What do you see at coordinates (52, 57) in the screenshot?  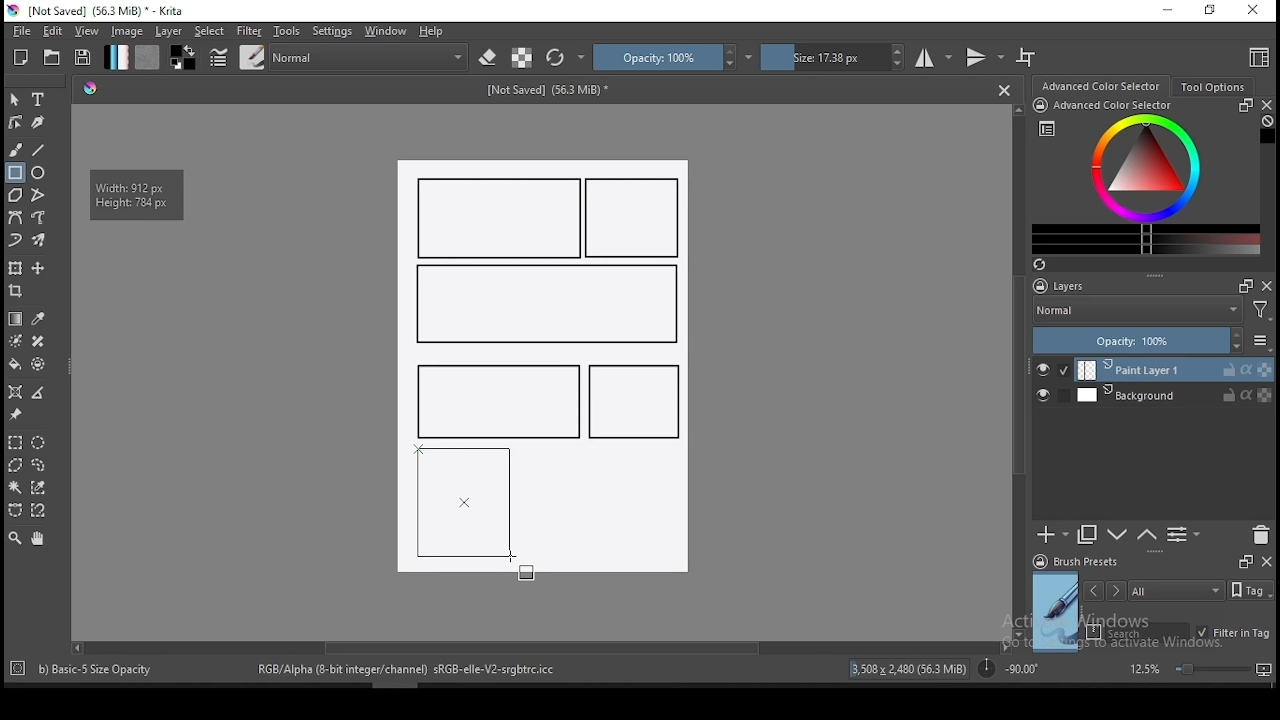 I see `open` at bounding box center [52, 57].